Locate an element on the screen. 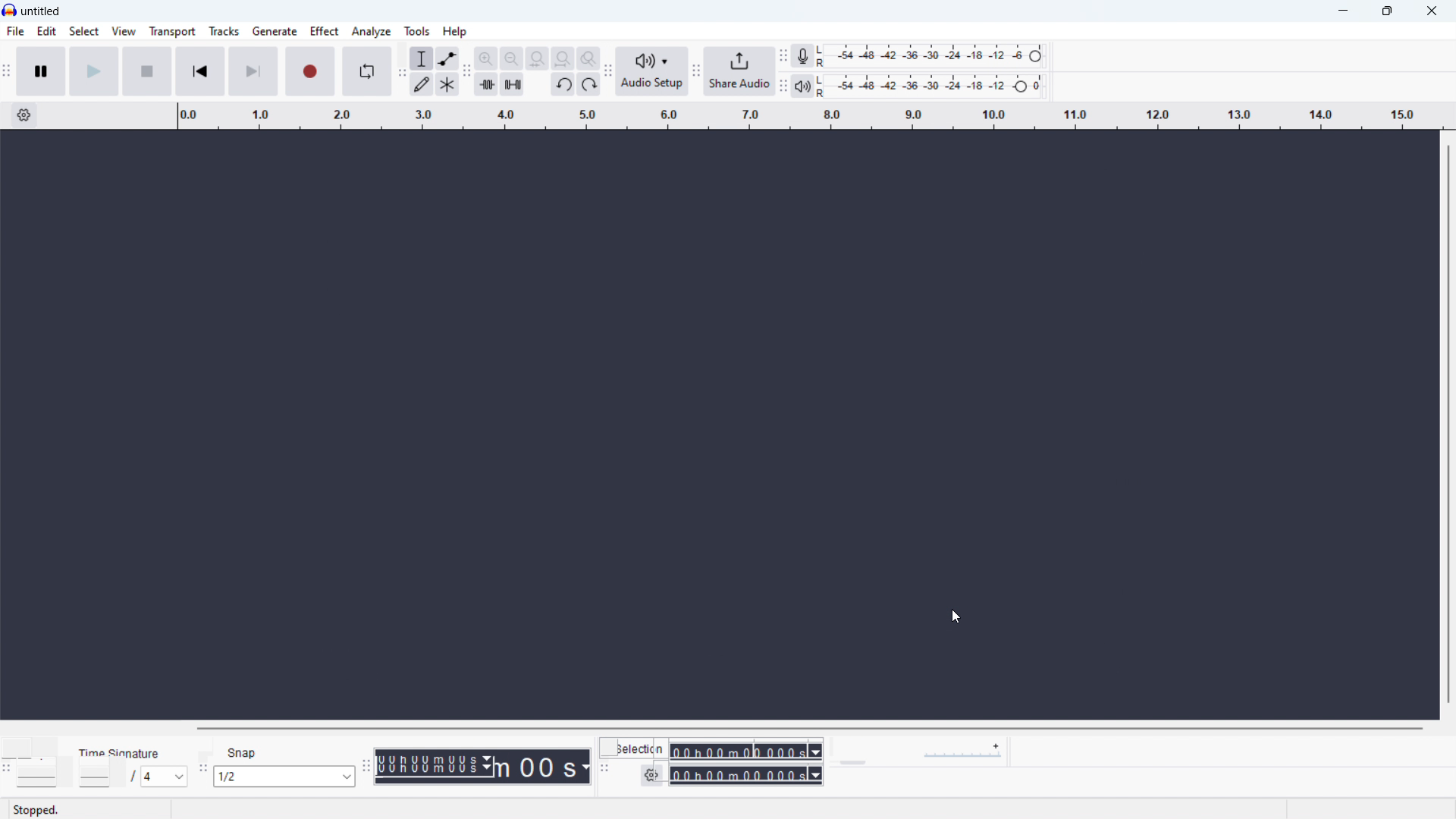 The width and height of the screenshot is (1456, 819). help is located at coordinates (455, 31).